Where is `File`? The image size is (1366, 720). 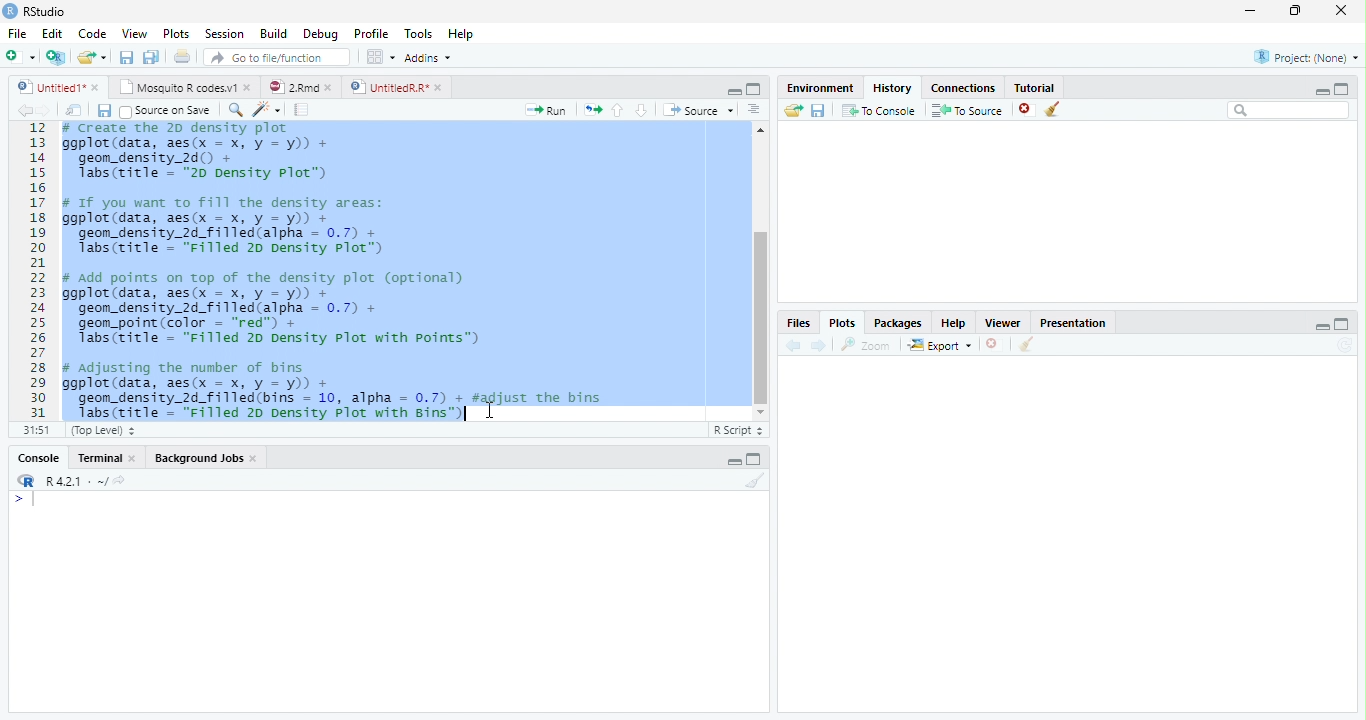
File is located at coordinates (17, 35).